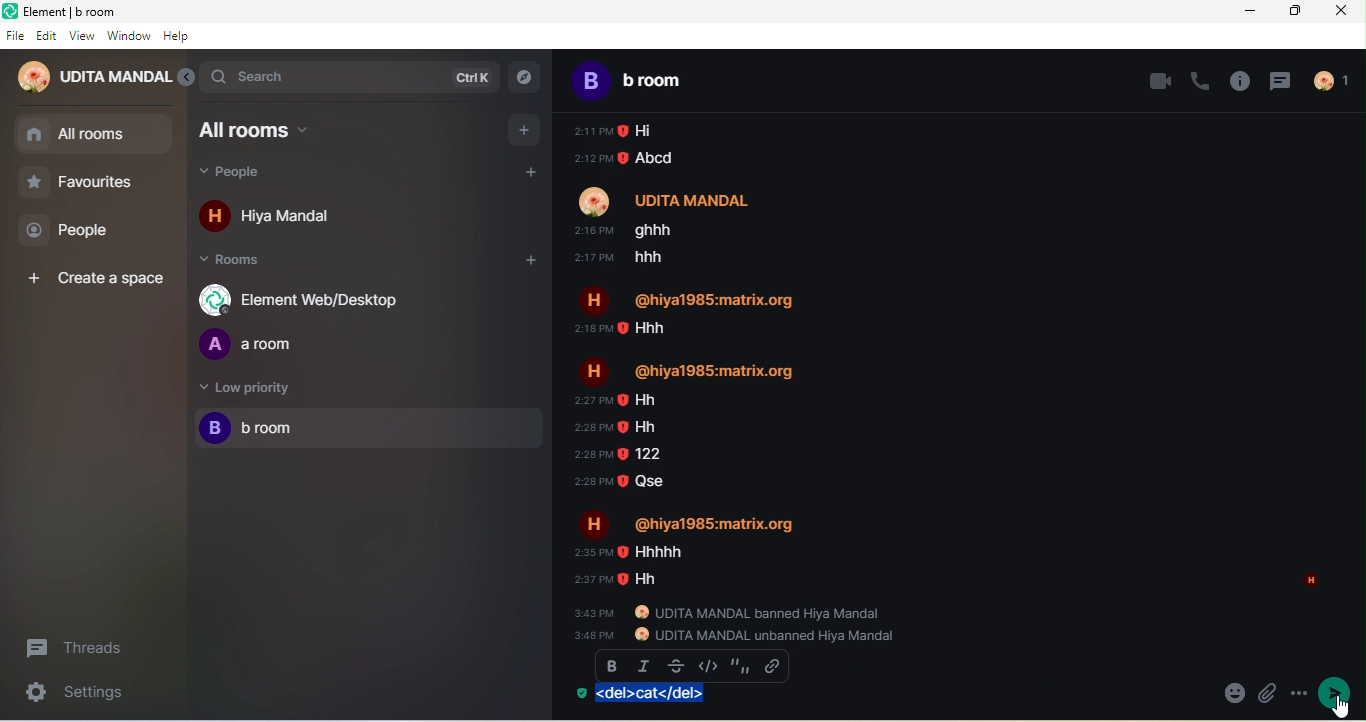 The width and height of the screenshot is (1366, 722). Describe the element at coordinates (179, 37) in the screenshot. I see `help` at that location.